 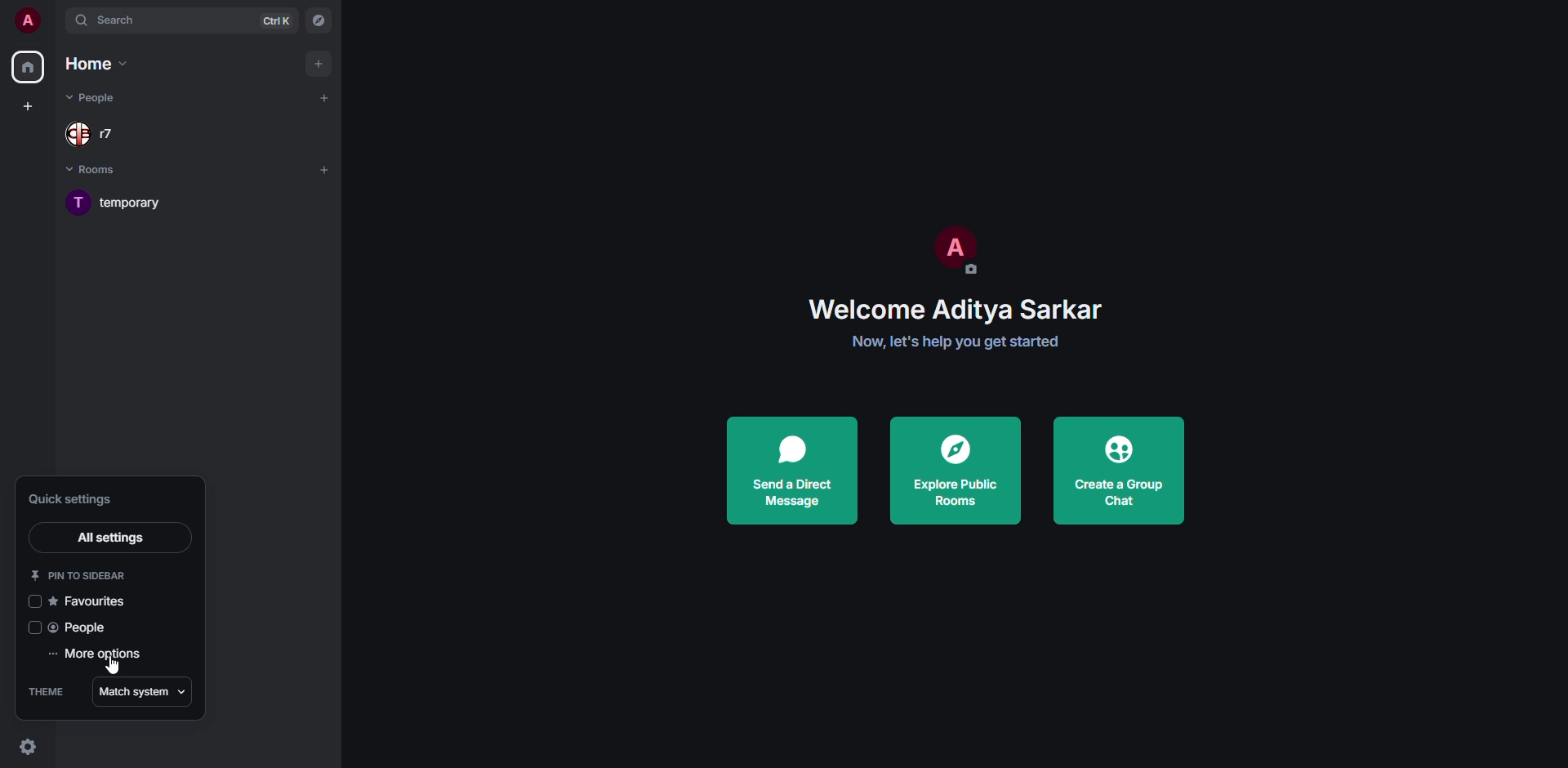 What do you see at coordinates (106, 538) in the screenshot?
I see `all settings` at bounding box center [106, 538].